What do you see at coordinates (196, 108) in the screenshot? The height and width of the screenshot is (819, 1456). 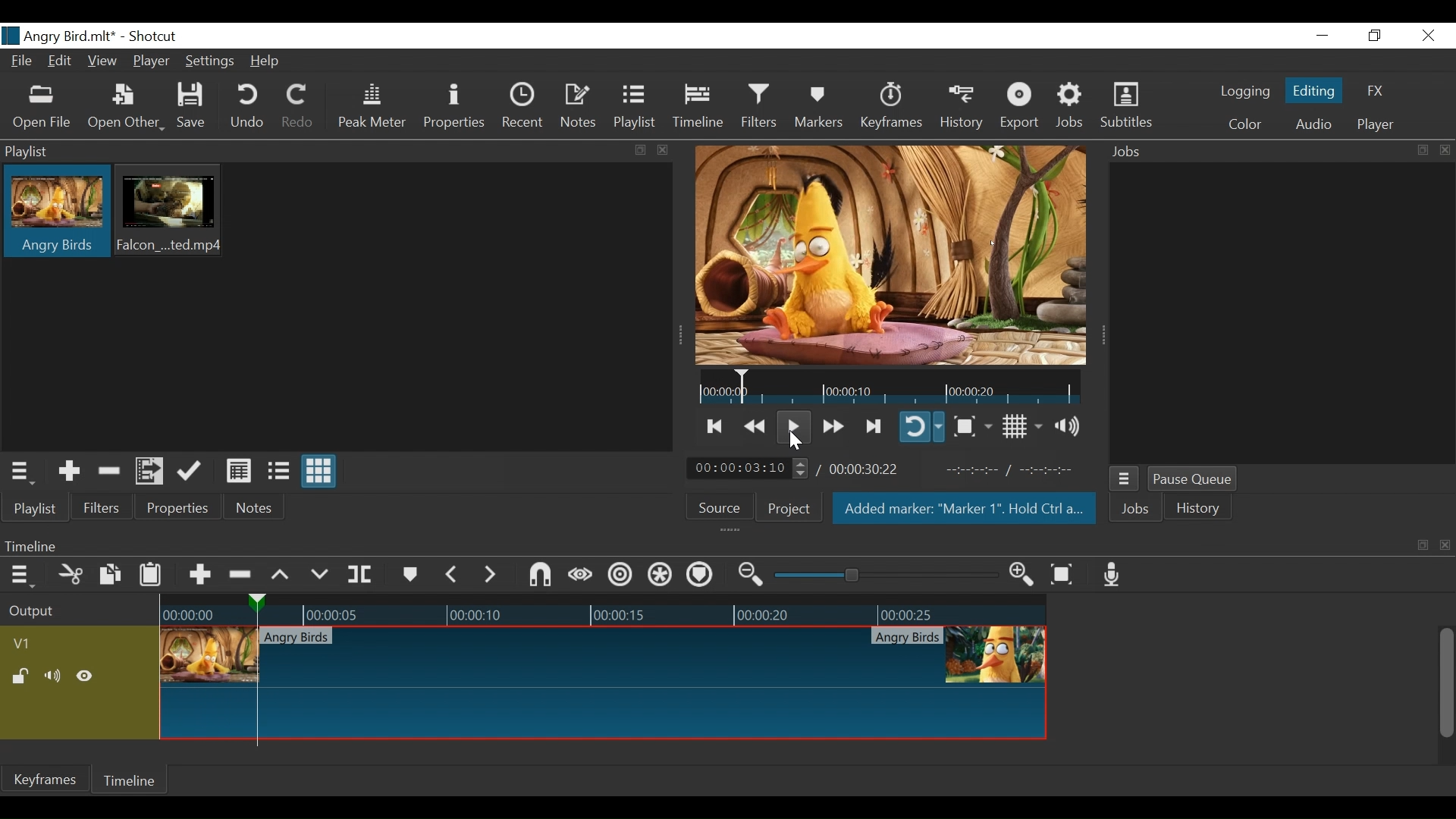 I see `Save` at bounding box center [196, 108].